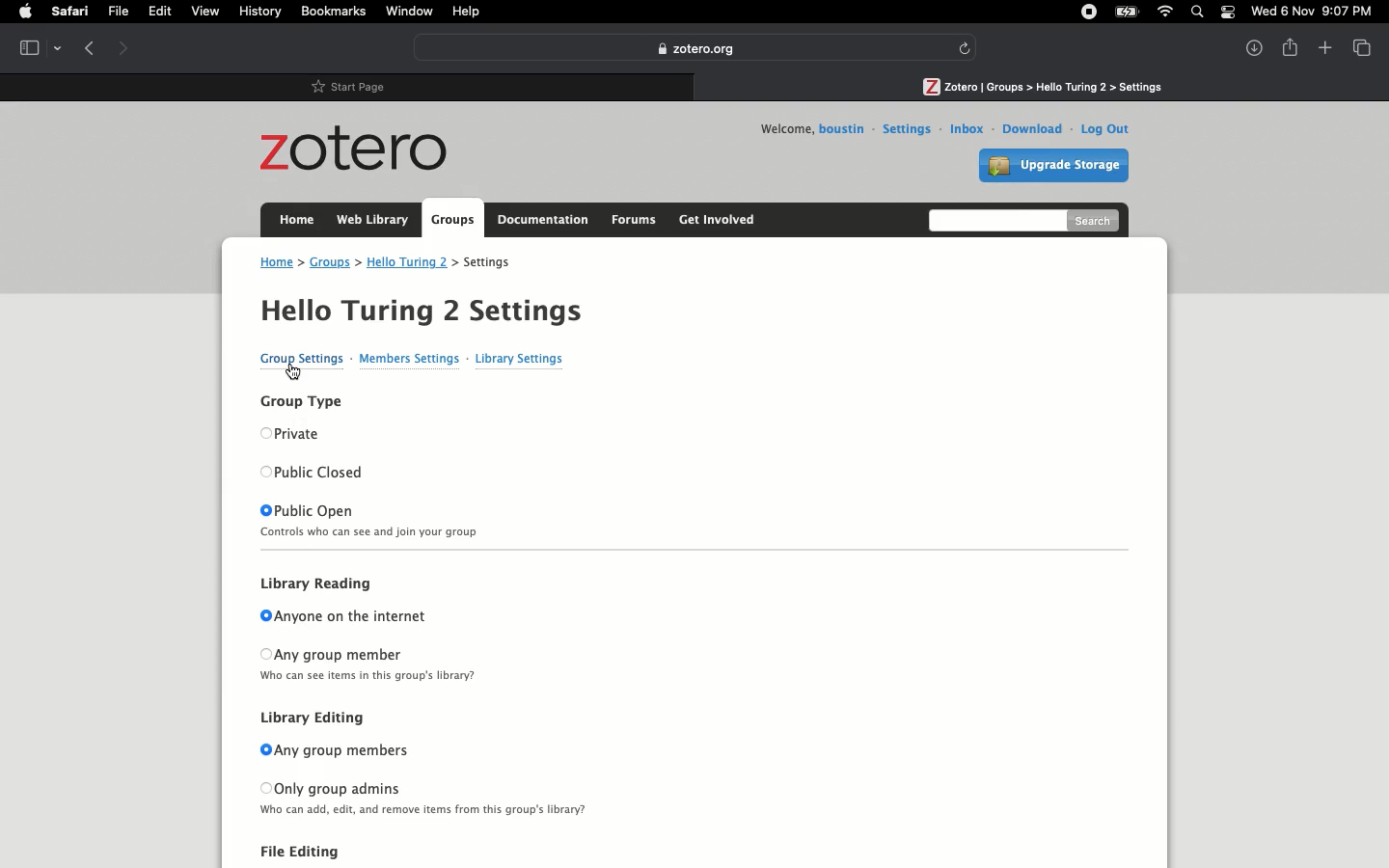  I want to click on Internet, so click(1163, 13).